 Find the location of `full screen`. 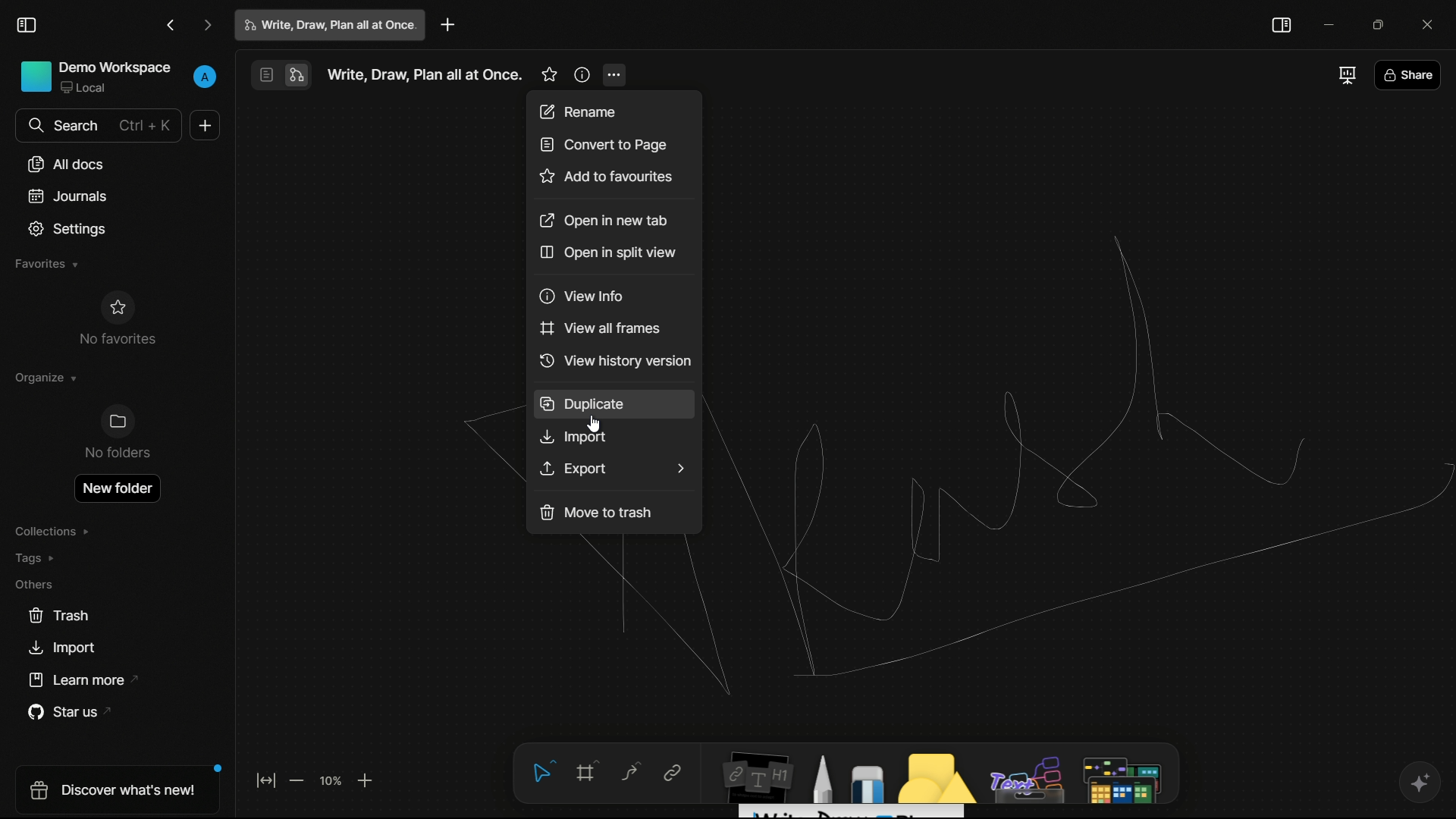

full screen is located at coordinates (1345, 77).